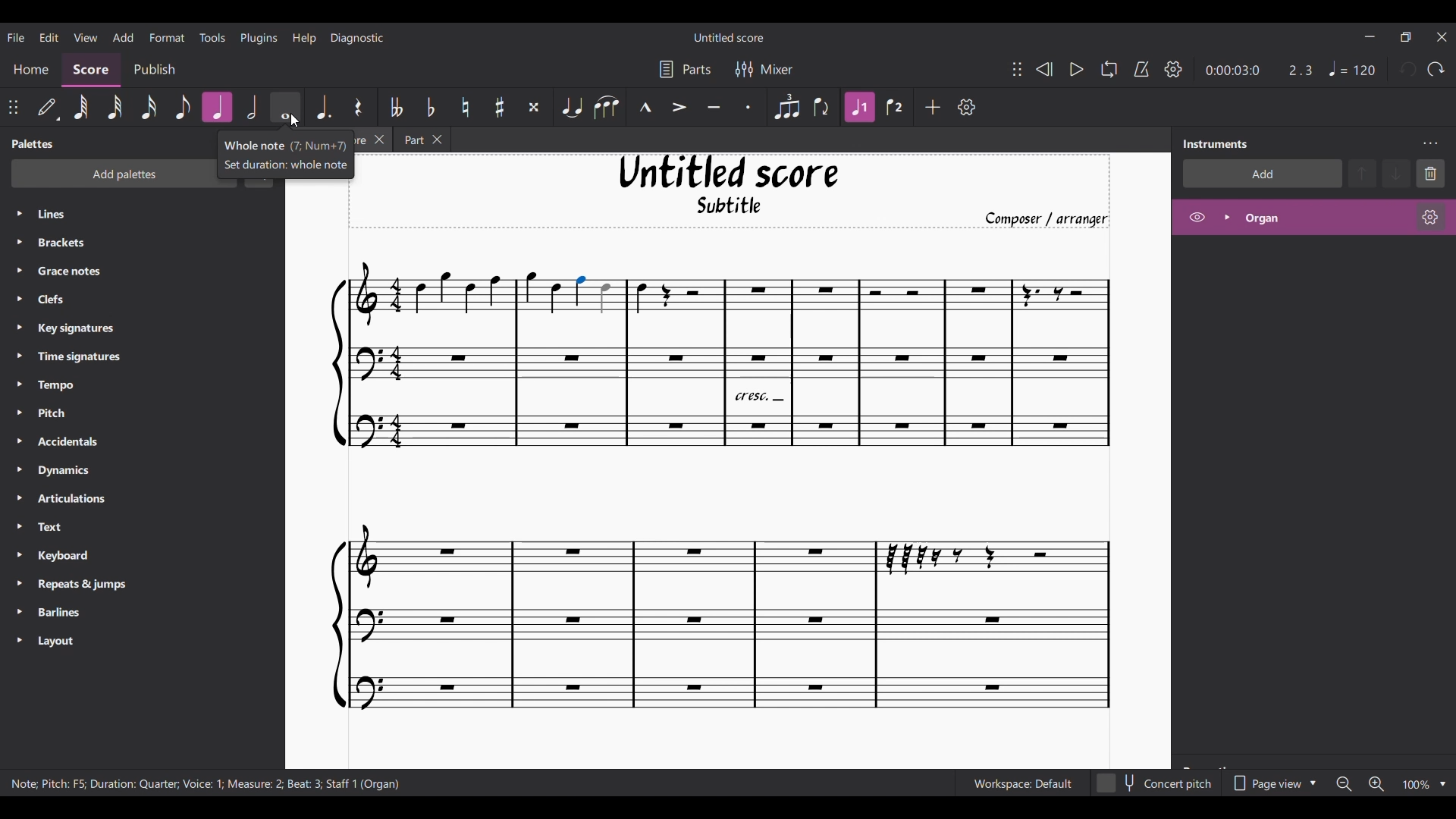 The image size is (1456, 819). I want to click on Undo, so click(1408, 69).